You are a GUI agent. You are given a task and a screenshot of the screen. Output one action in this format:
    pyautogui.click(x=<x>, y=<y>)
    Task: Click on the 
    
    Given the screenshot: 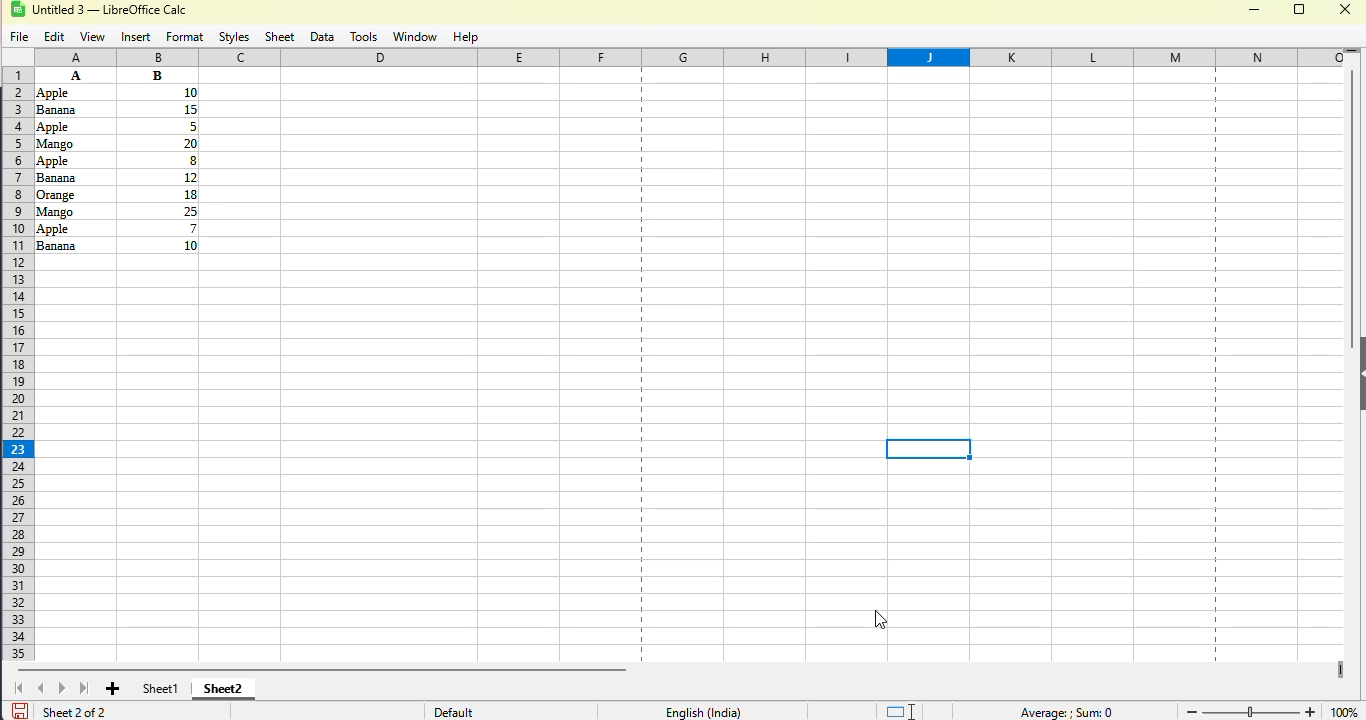 What is the action you would take?
    pyautogui.click(x=158, y=126)
    